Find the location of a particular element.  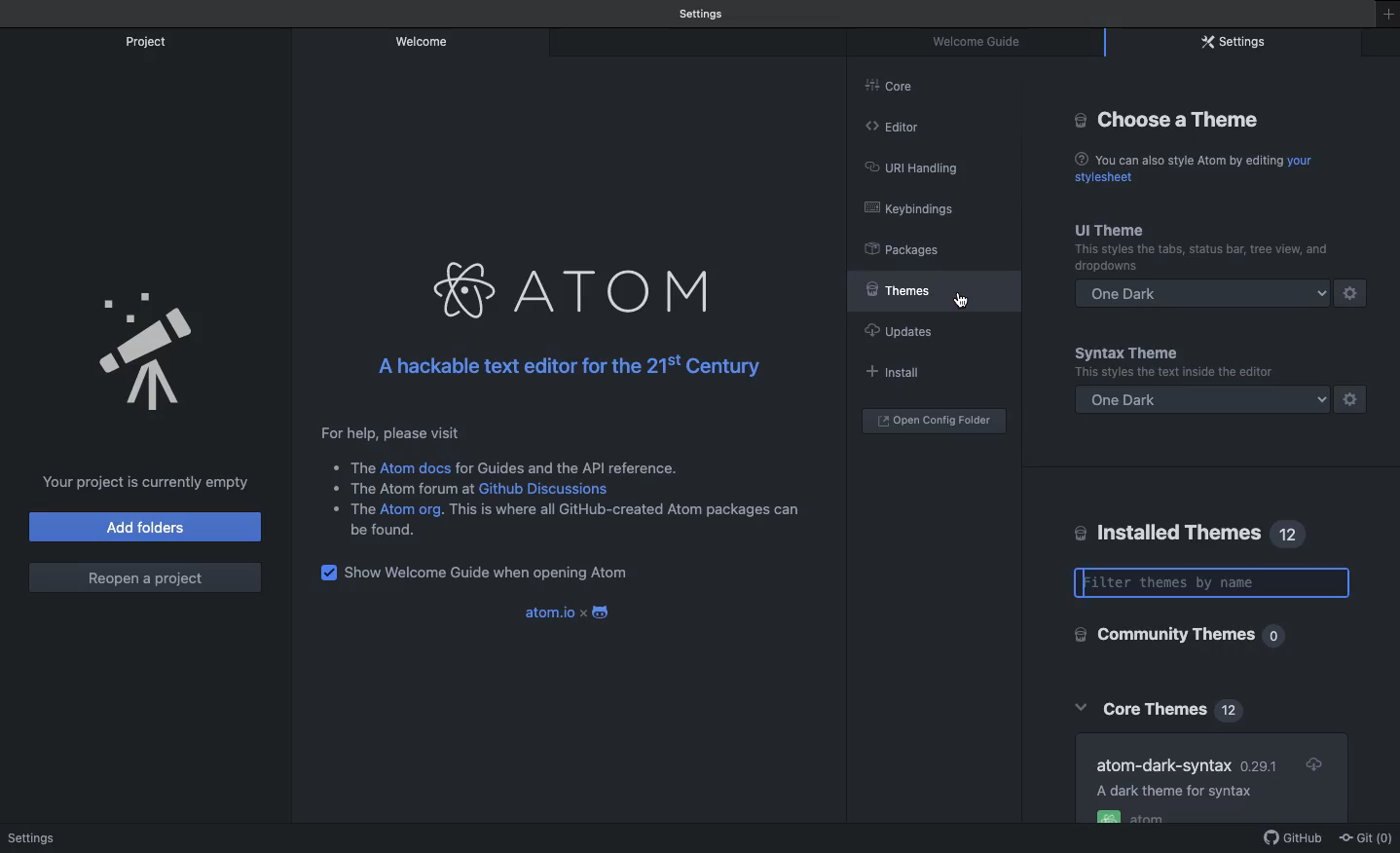

atom.ioxandroid is located at coordinates (572, 612).